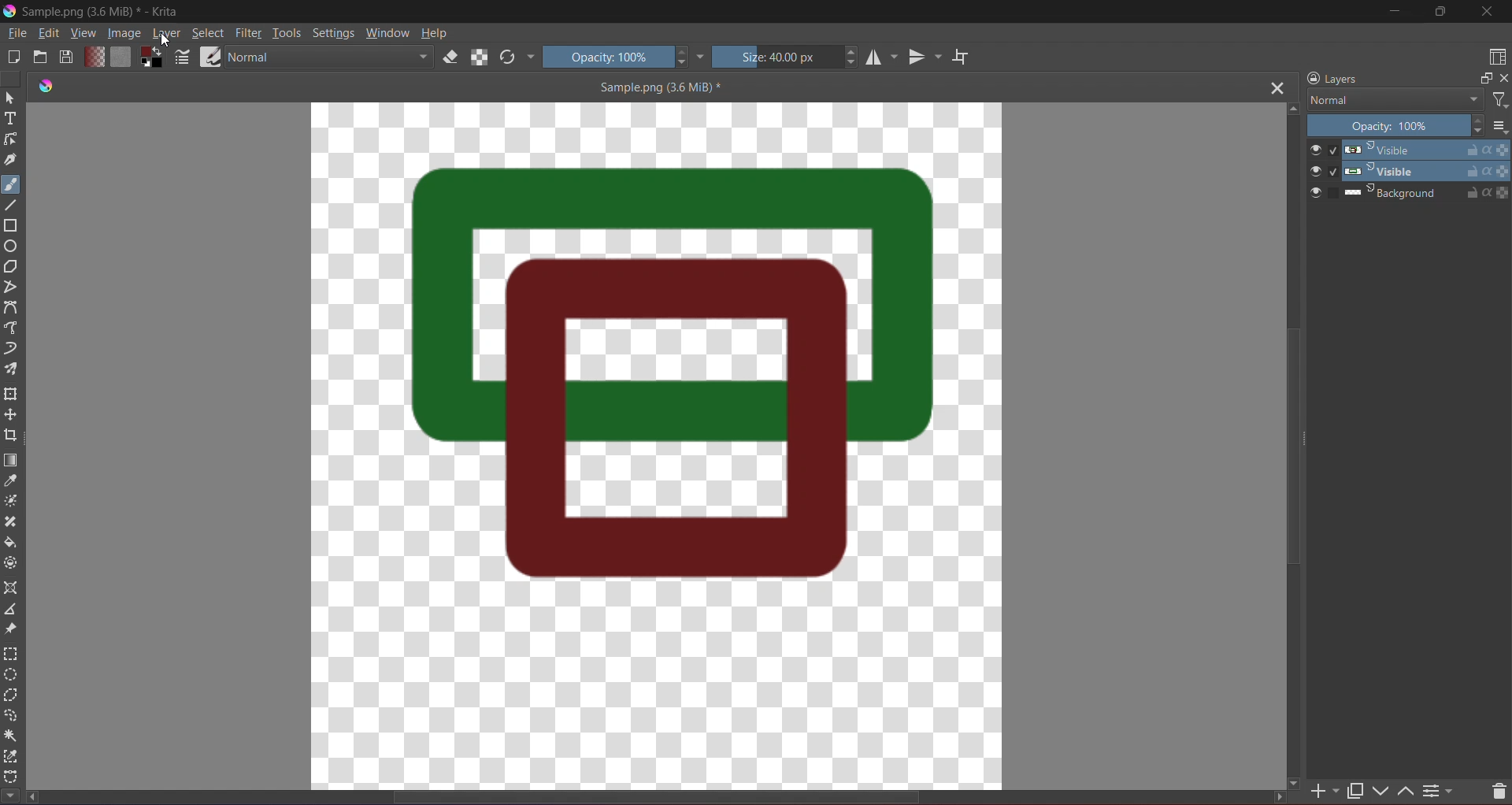  I want to click on Horizontal Mirror Tool, so click(881, 57).